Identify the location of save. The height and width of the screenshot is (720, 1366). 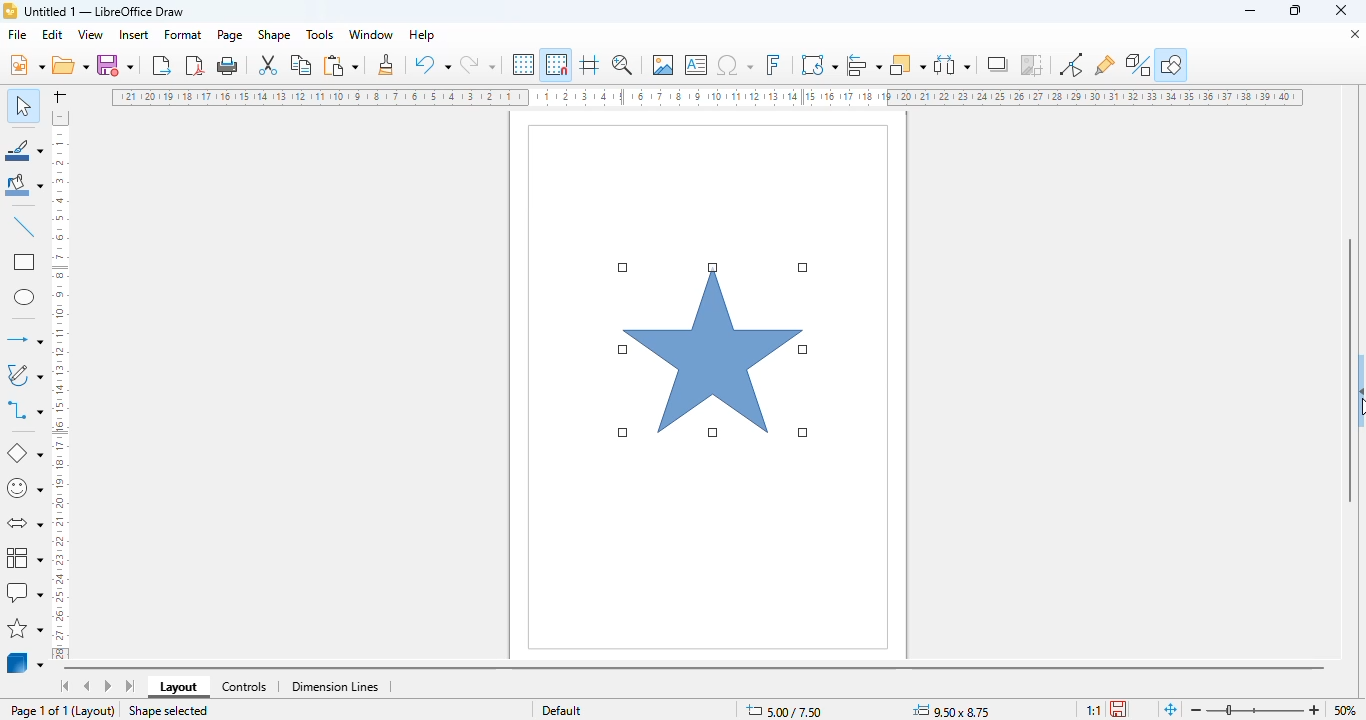
(115, 65).